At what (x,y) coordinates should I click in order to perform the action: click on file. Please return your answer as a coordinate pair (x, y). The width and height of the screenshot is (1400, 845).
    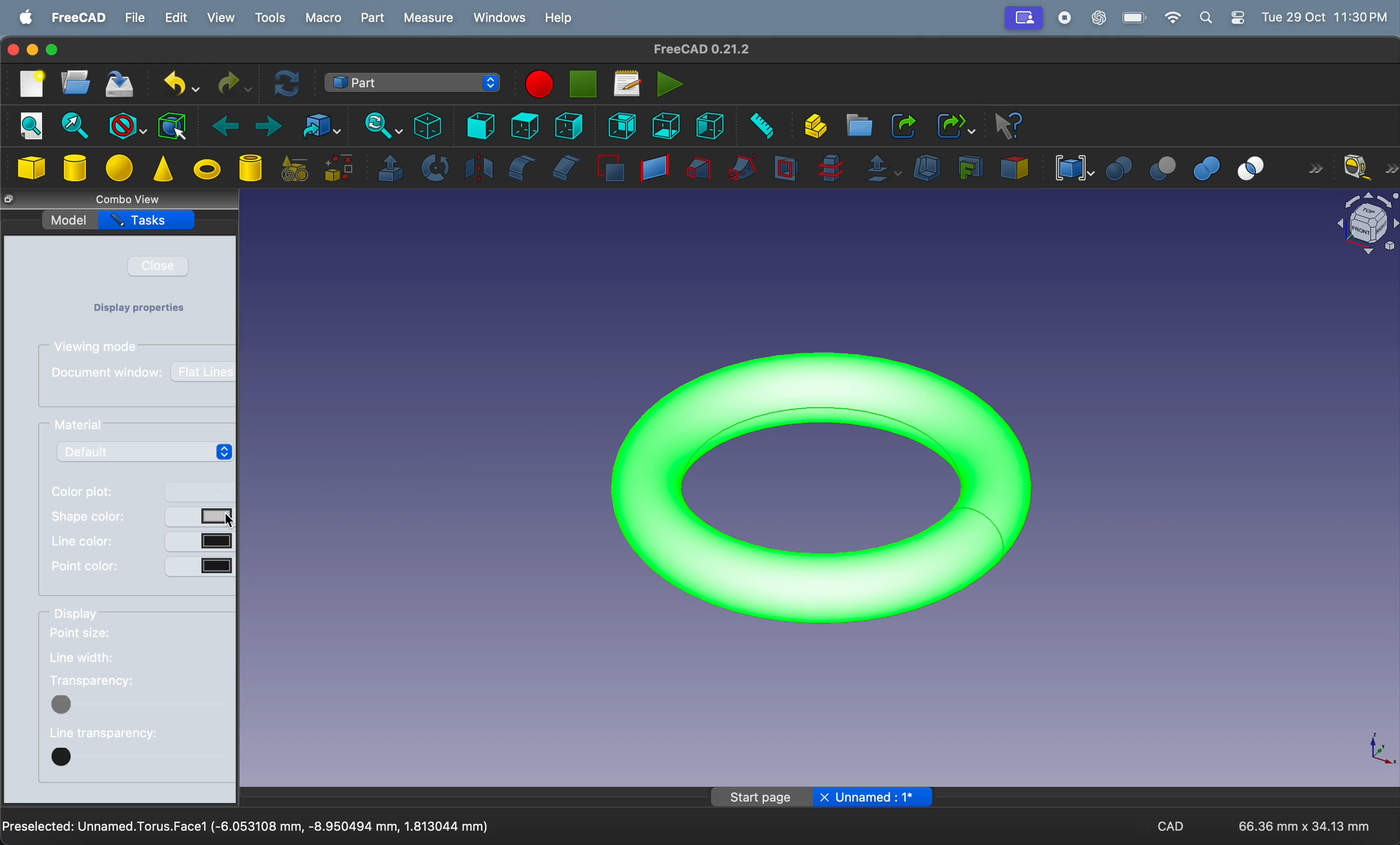
    Looking at the image, I should click on (134, 18).